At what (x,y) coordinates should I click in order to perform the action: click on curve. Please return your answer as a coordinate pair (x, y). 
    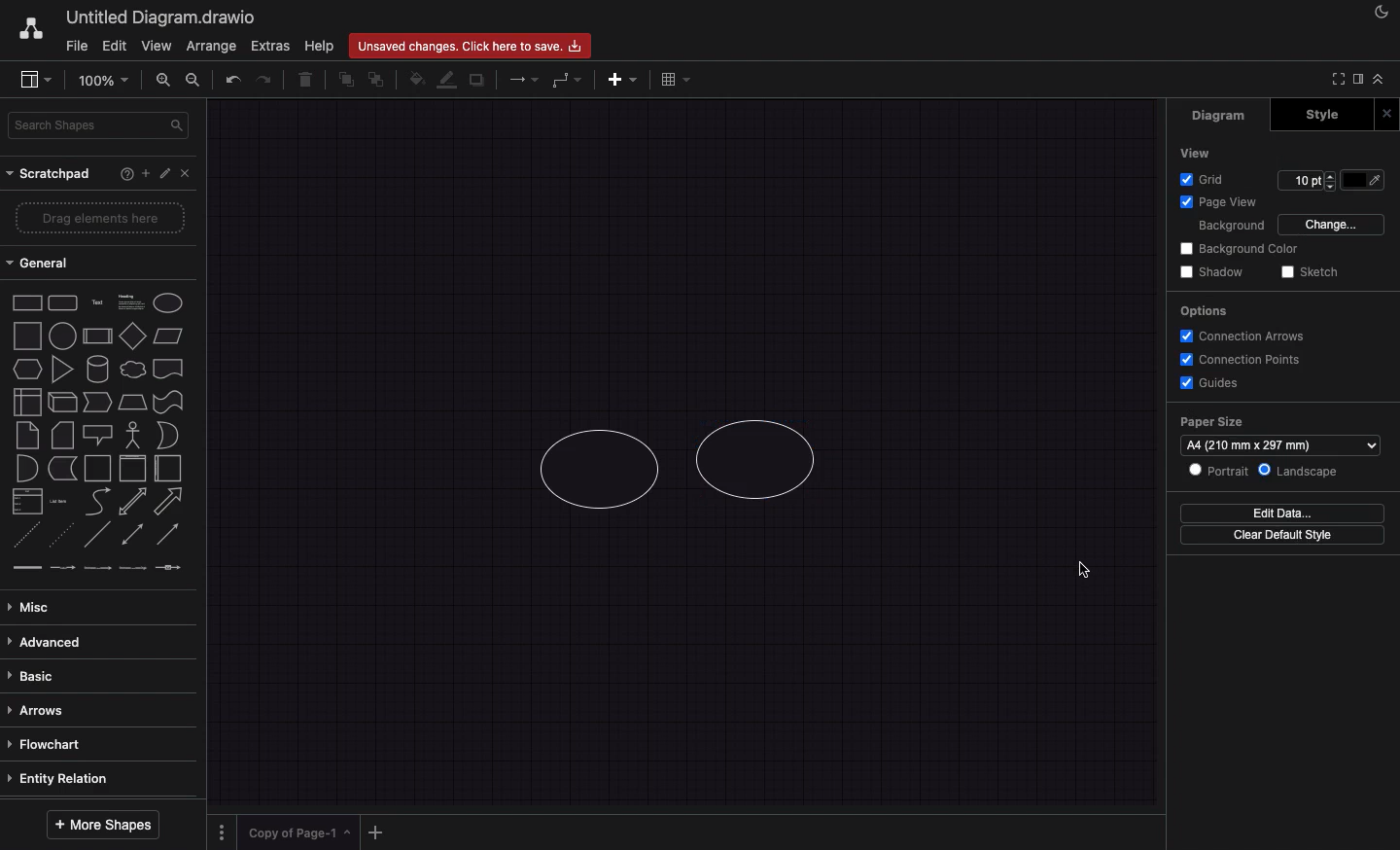
    Looking at the image, I should click on (97, 503).